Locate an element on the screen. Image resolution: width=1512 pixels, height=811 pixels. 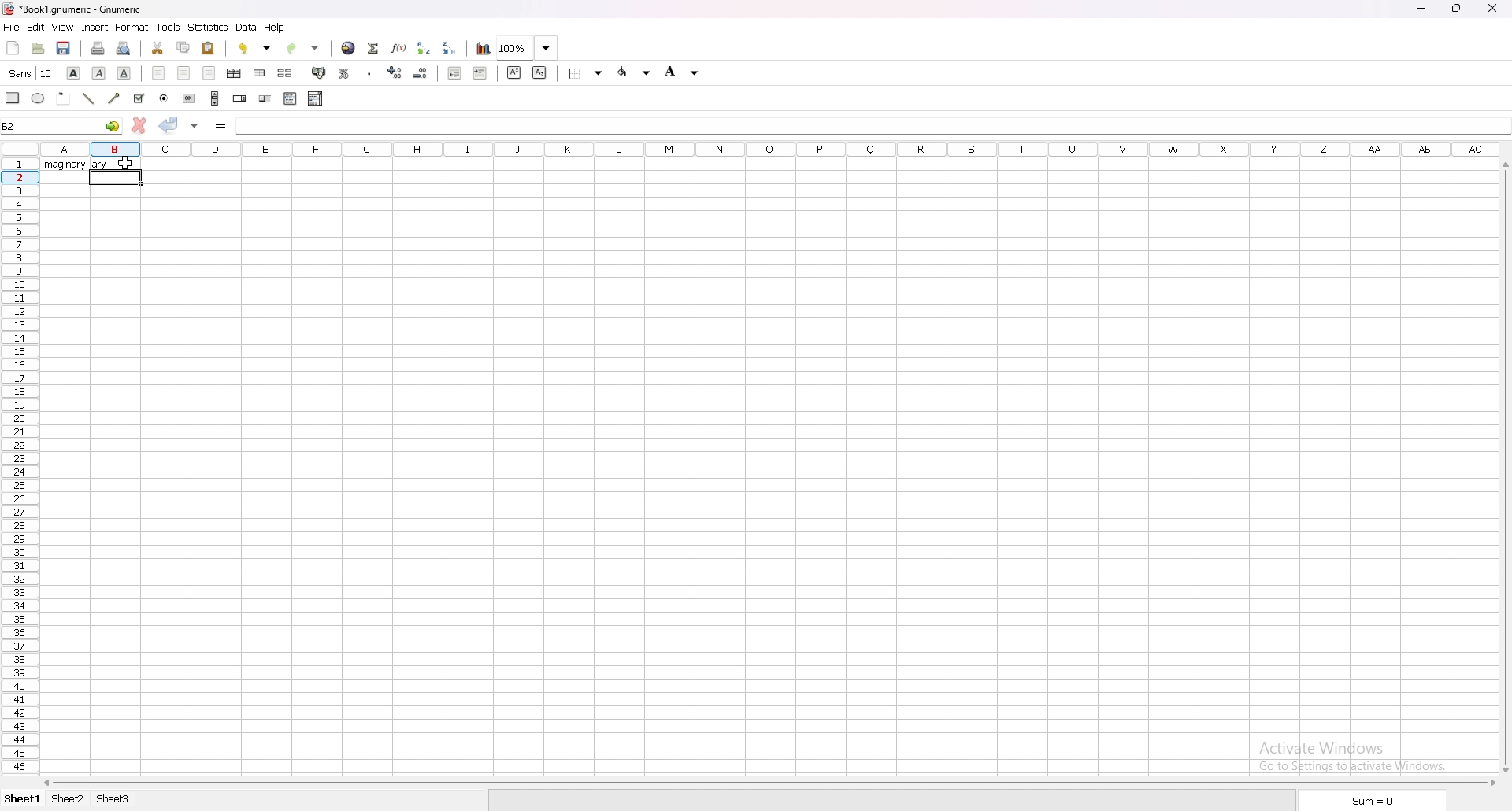
thousands separator is located at coordinates (371, 72).